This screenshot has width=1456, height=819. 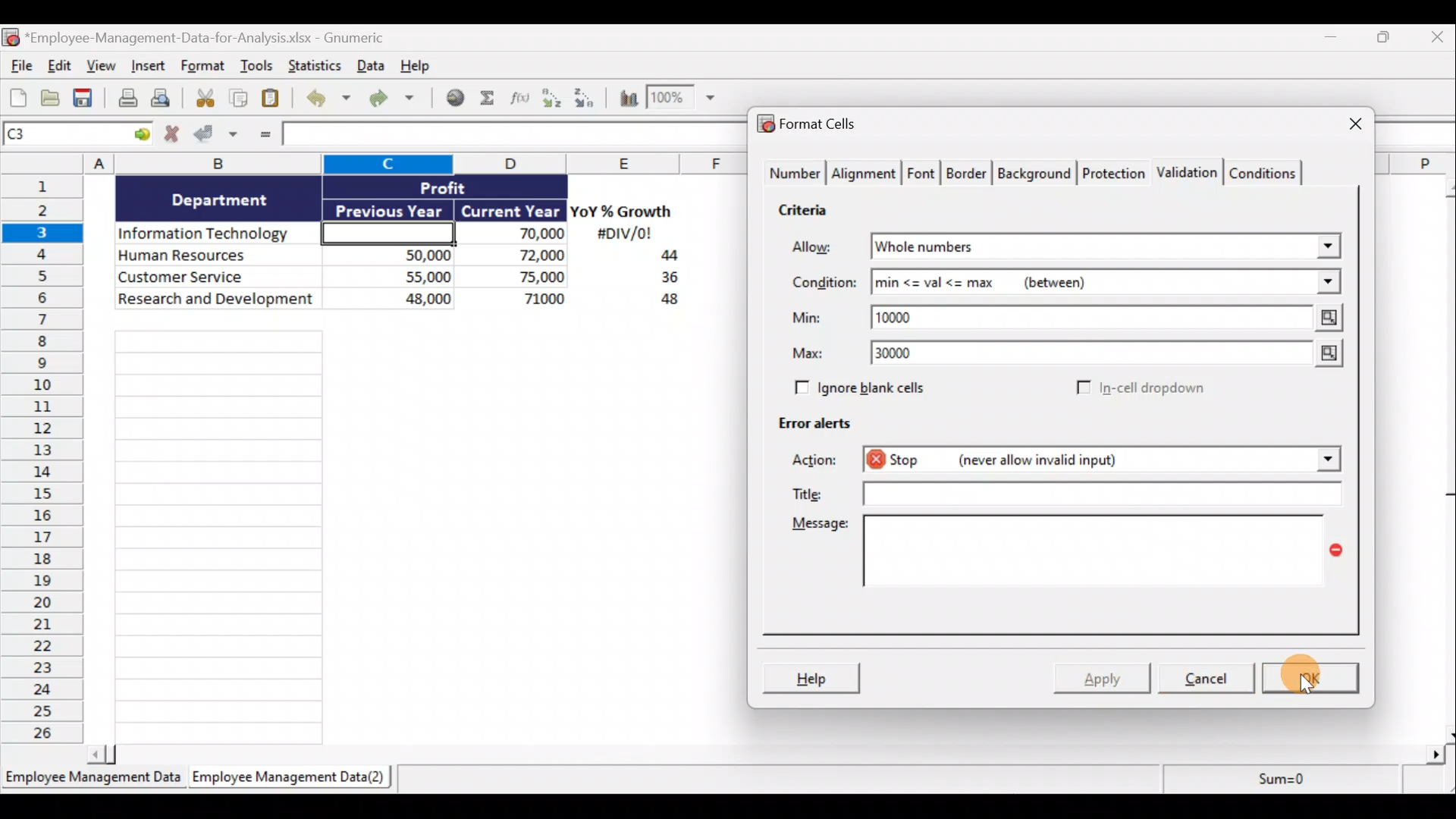 What do you see at coordinates (905, 316) in the screenshot?
I see `10000` at bounding box center [905, 316].